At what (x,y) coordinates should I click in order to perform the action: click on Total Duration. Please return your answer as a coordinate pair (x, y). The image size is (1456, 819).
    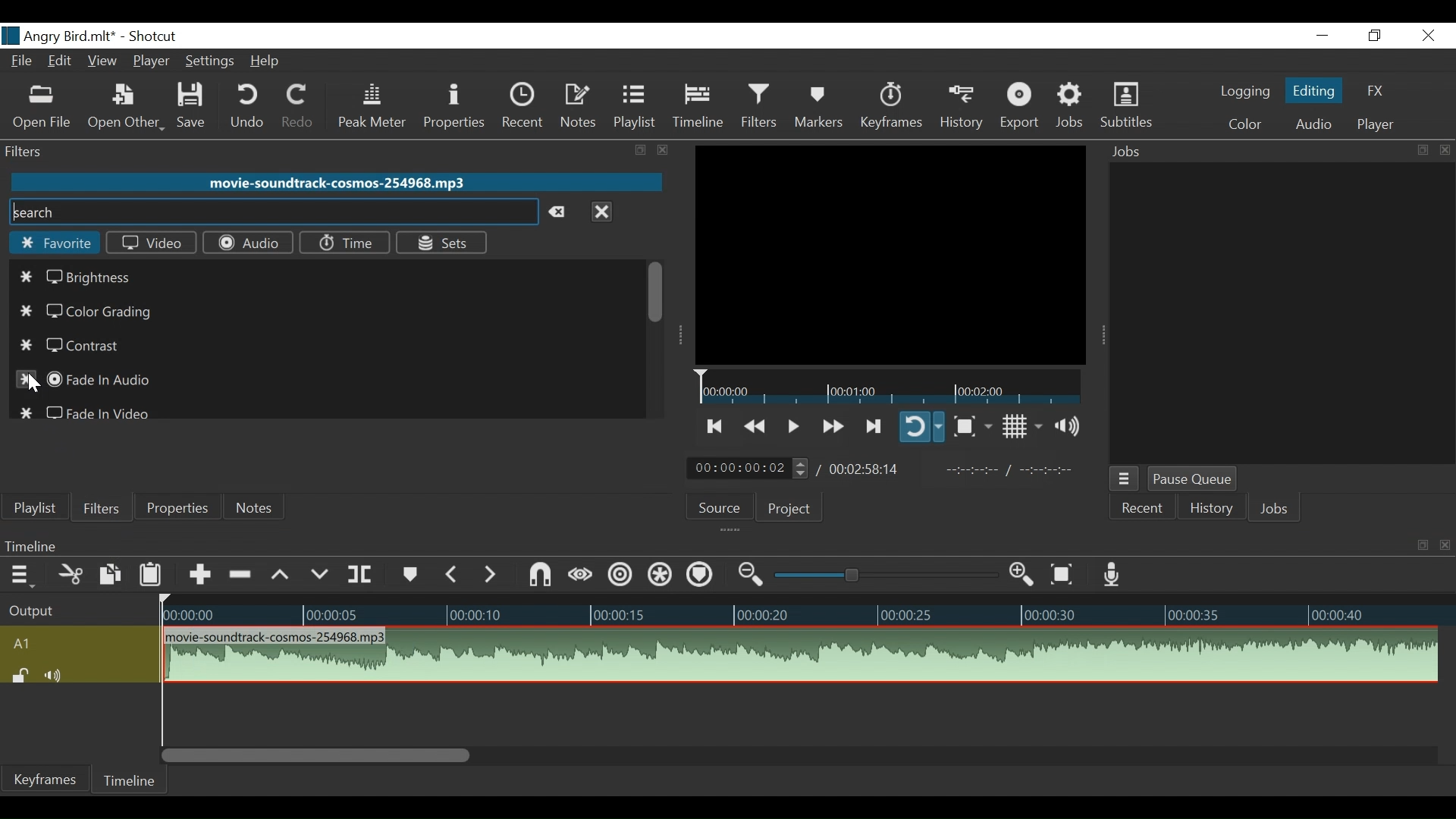
    Looking at the image, I should click on (868, 468).